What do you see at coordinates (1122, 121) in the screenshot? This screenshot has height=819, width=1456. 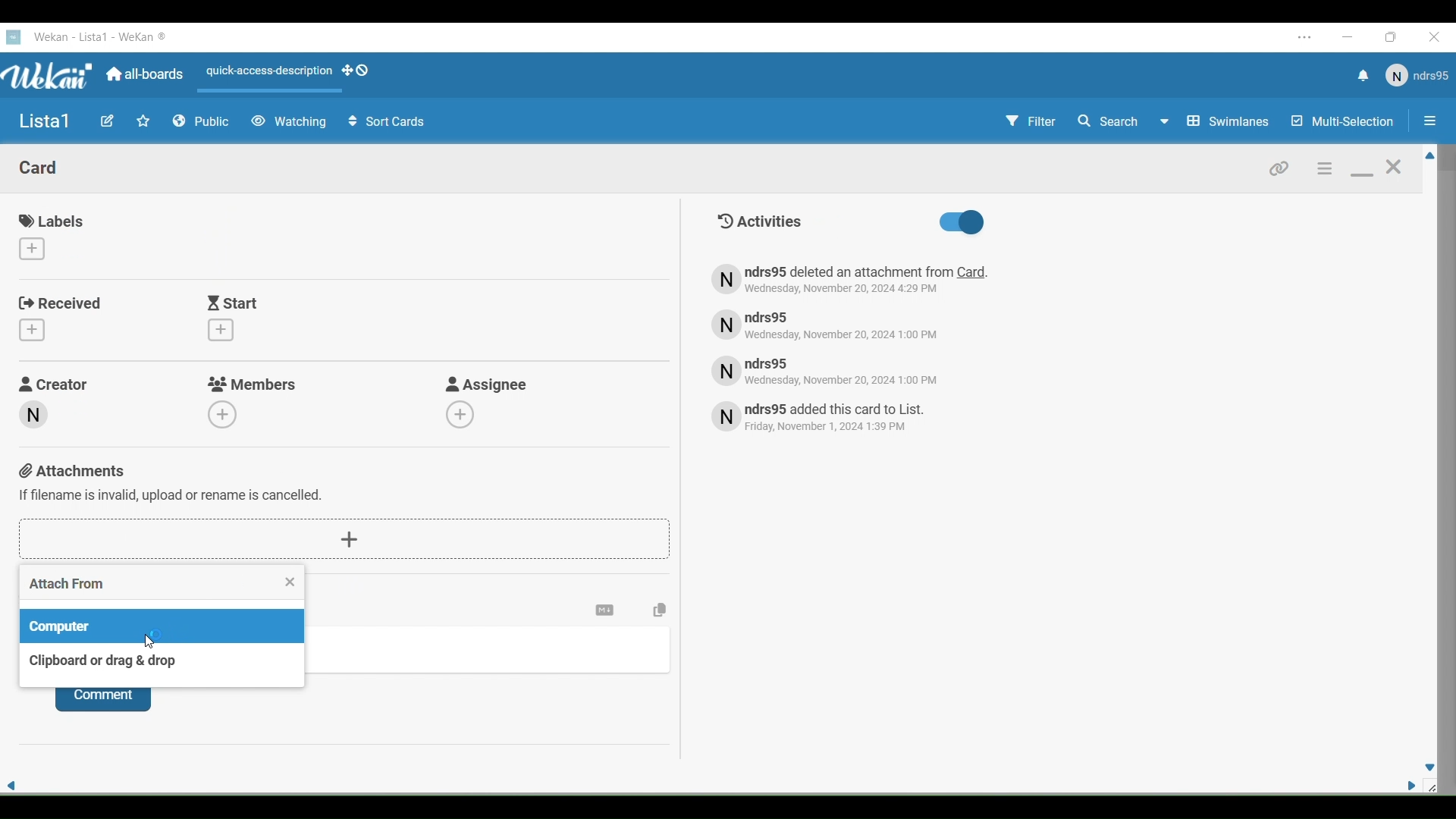 I see `Search` at bounding box center [1122, 121].